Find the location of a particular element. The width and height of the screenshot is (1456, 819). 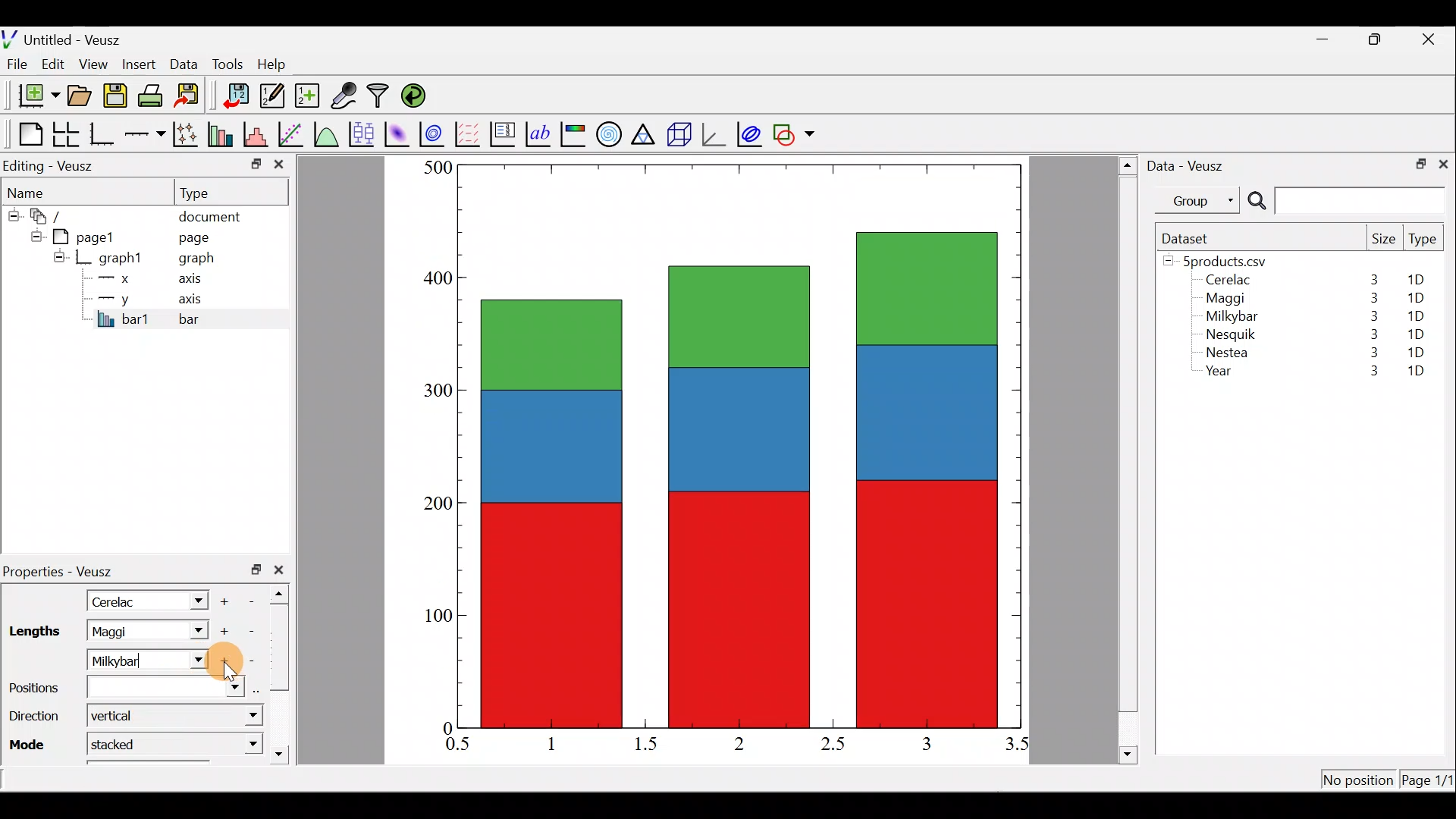

3 is located at coordinates (1370, 298).